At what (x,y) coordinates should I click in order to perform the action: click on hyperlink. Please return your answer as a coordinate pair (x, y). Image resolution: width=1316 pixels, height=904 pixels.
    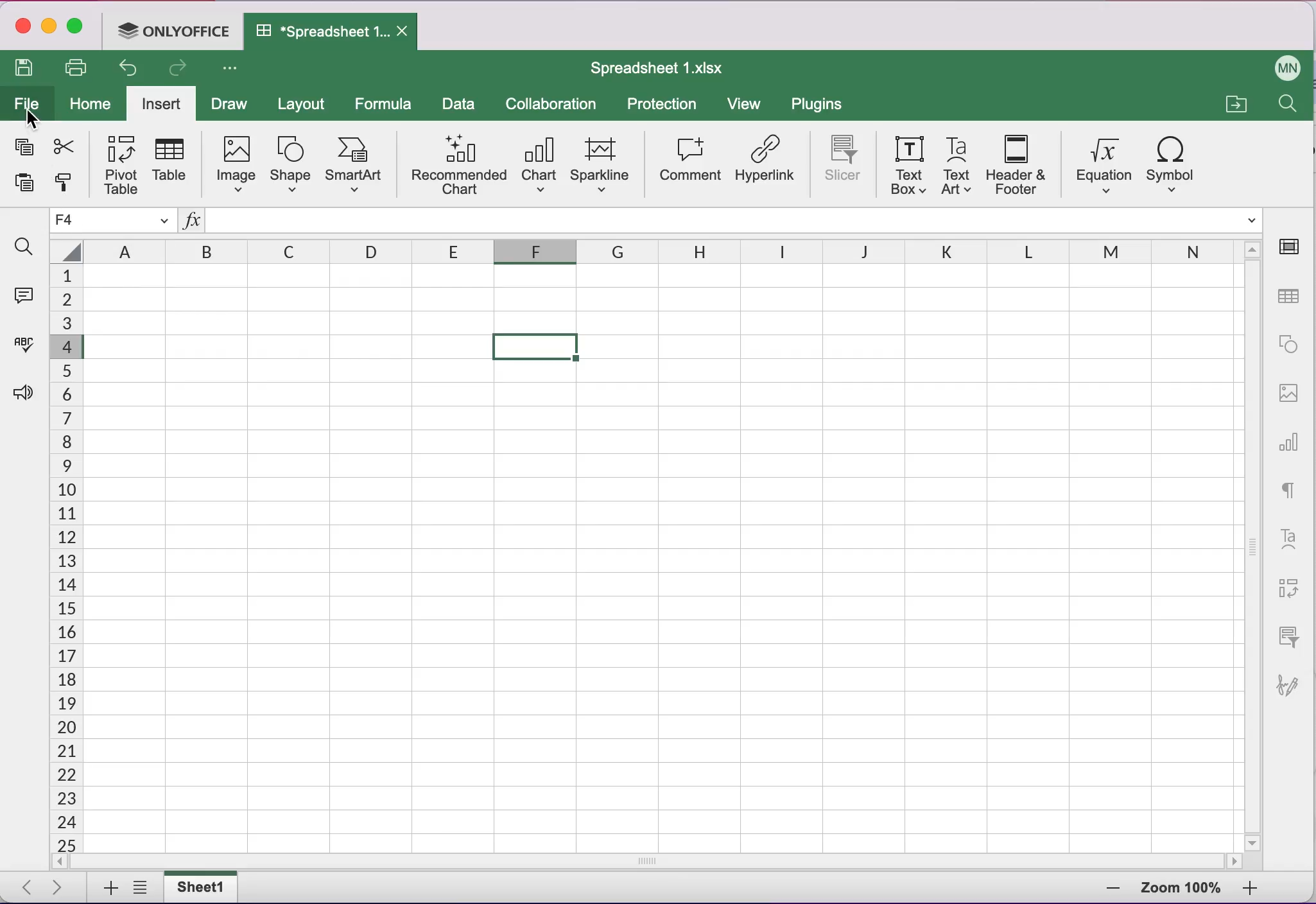
    Looking at the image, I should click on (766, 166).